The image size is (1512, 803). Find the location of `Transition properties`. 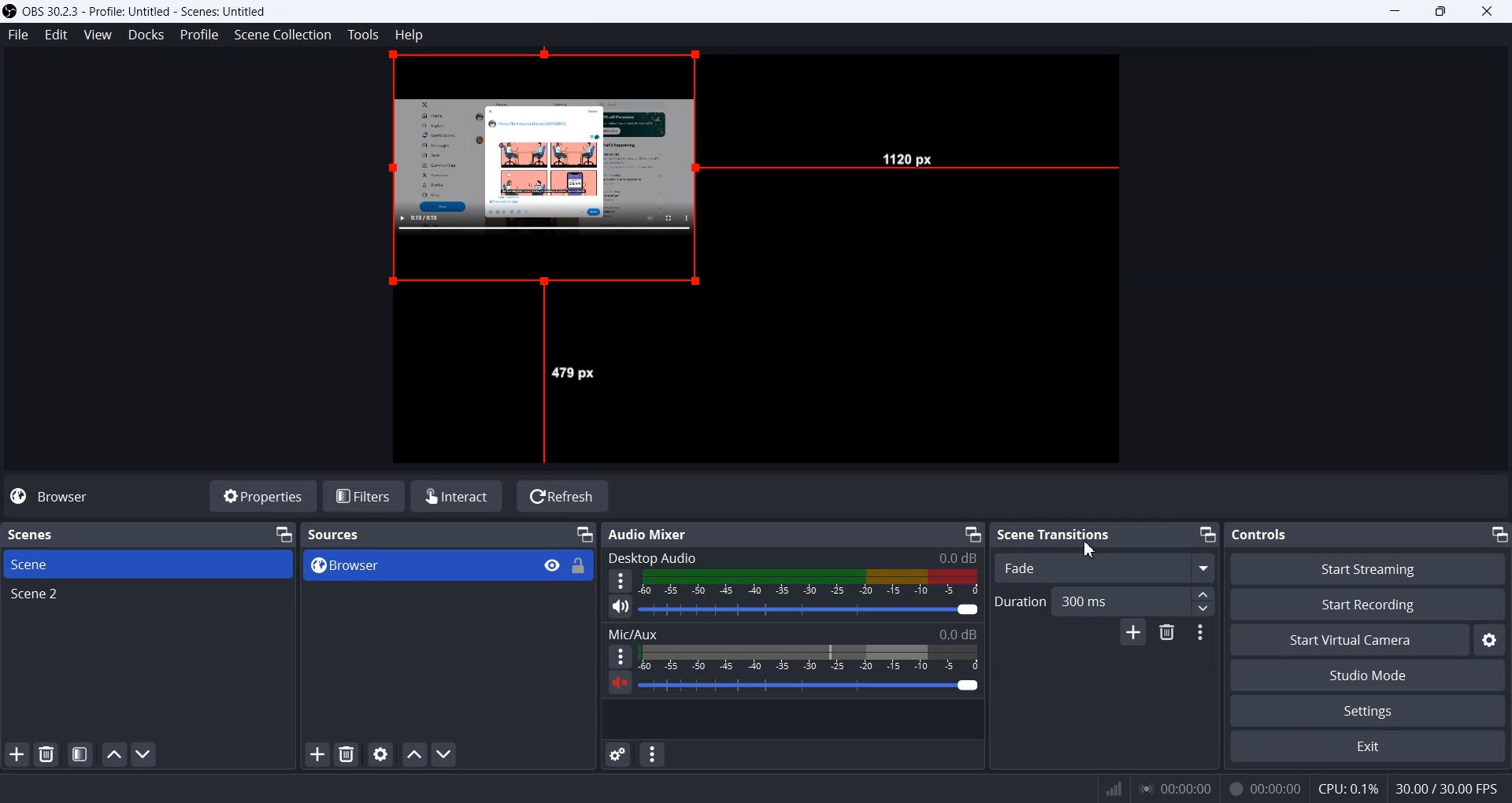

Transition properties is located at coordinates (1198, 633).